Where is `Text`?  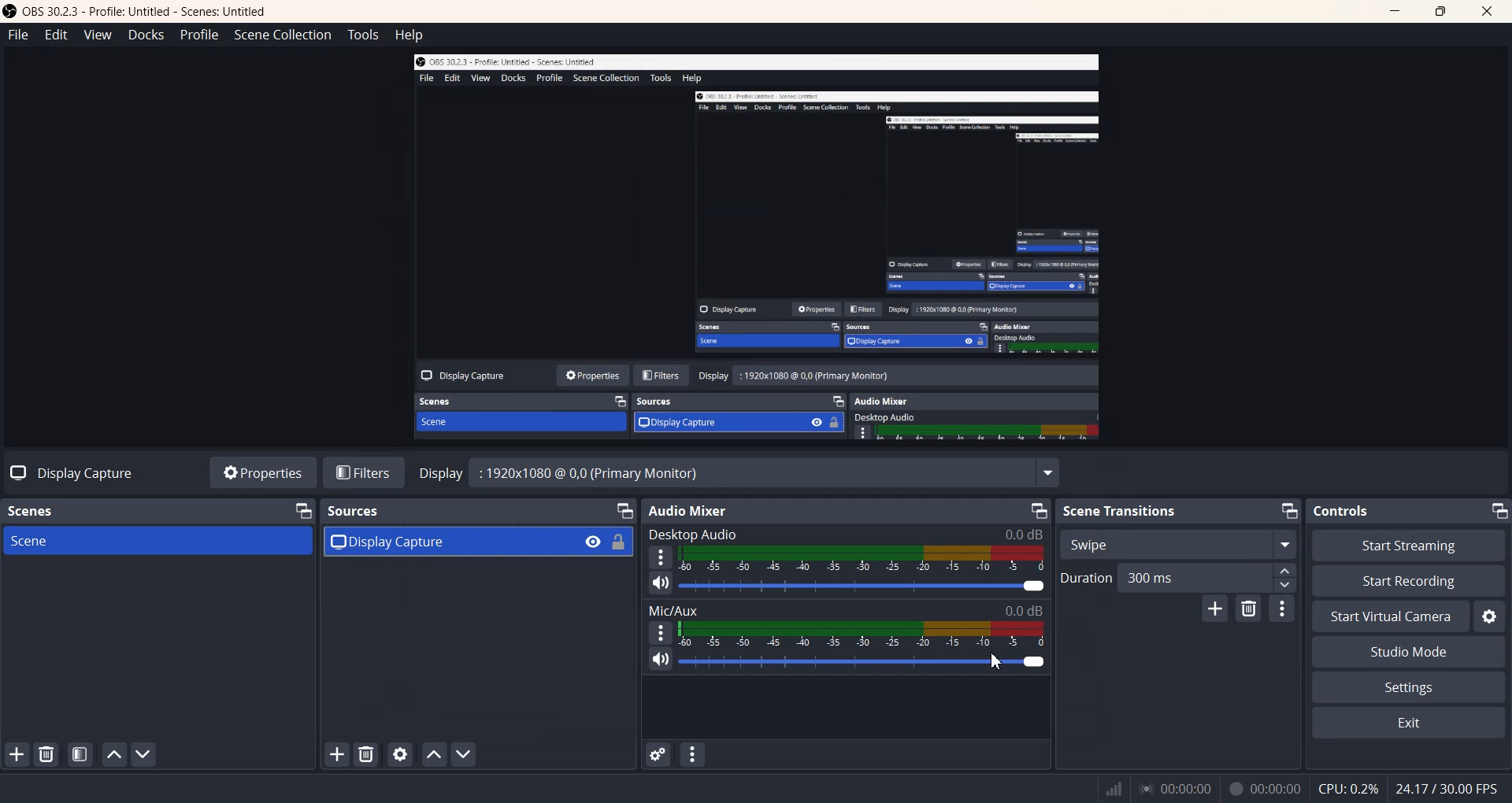
Text is located at coordinates (765, 475).